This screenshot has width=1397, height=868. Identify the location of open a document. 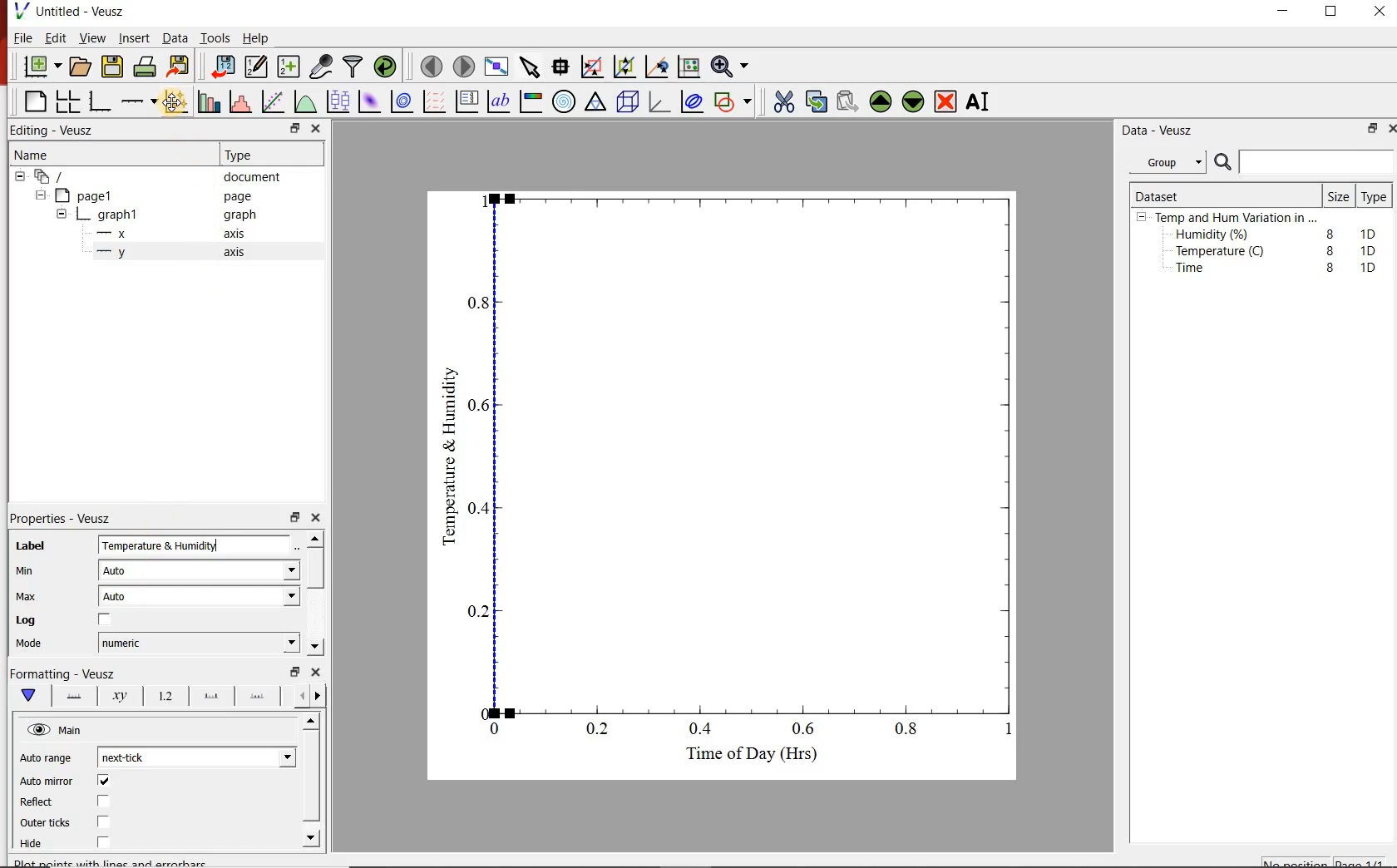
(81, 67).